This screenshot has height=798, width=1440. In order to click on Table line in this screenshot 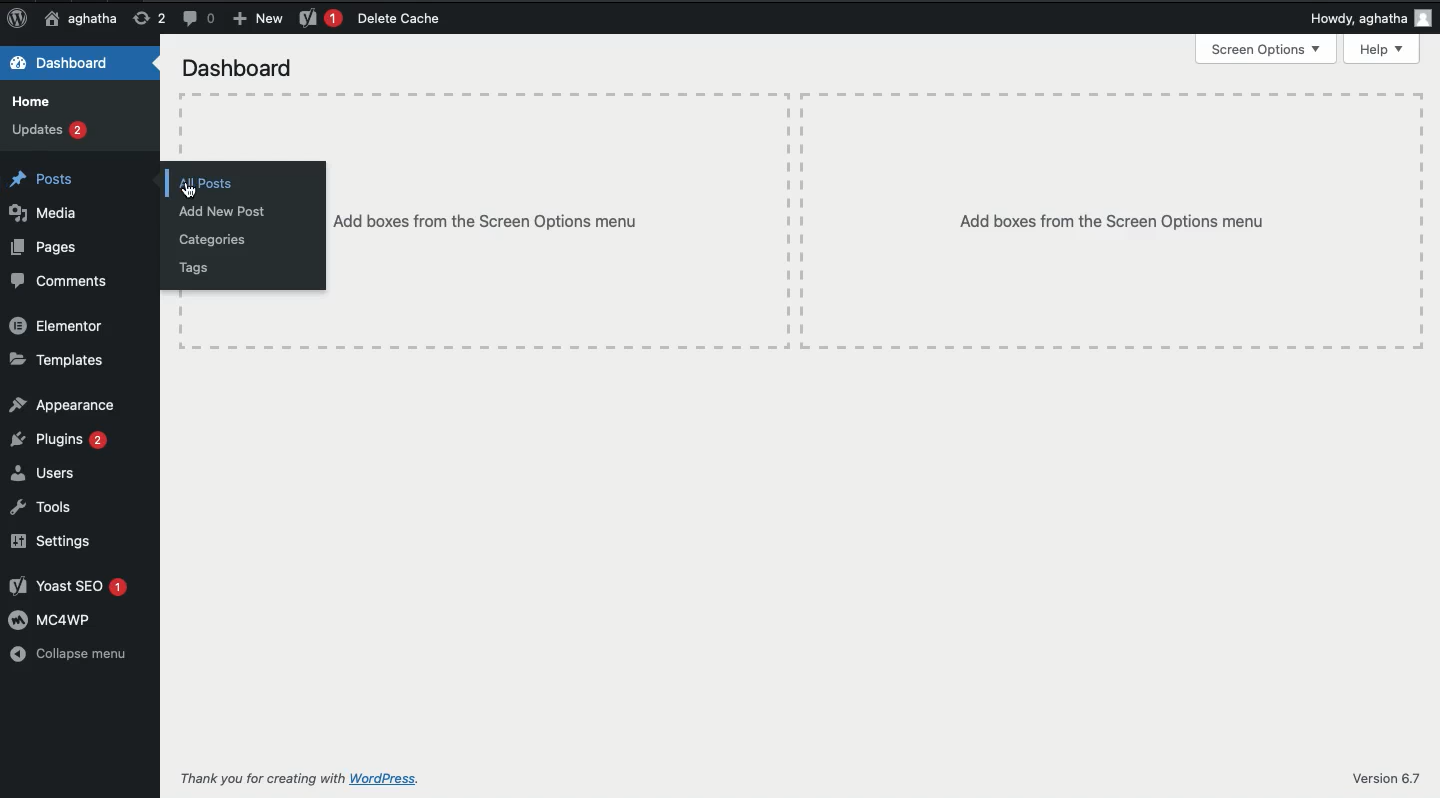, I will do `click(180, 132)`.